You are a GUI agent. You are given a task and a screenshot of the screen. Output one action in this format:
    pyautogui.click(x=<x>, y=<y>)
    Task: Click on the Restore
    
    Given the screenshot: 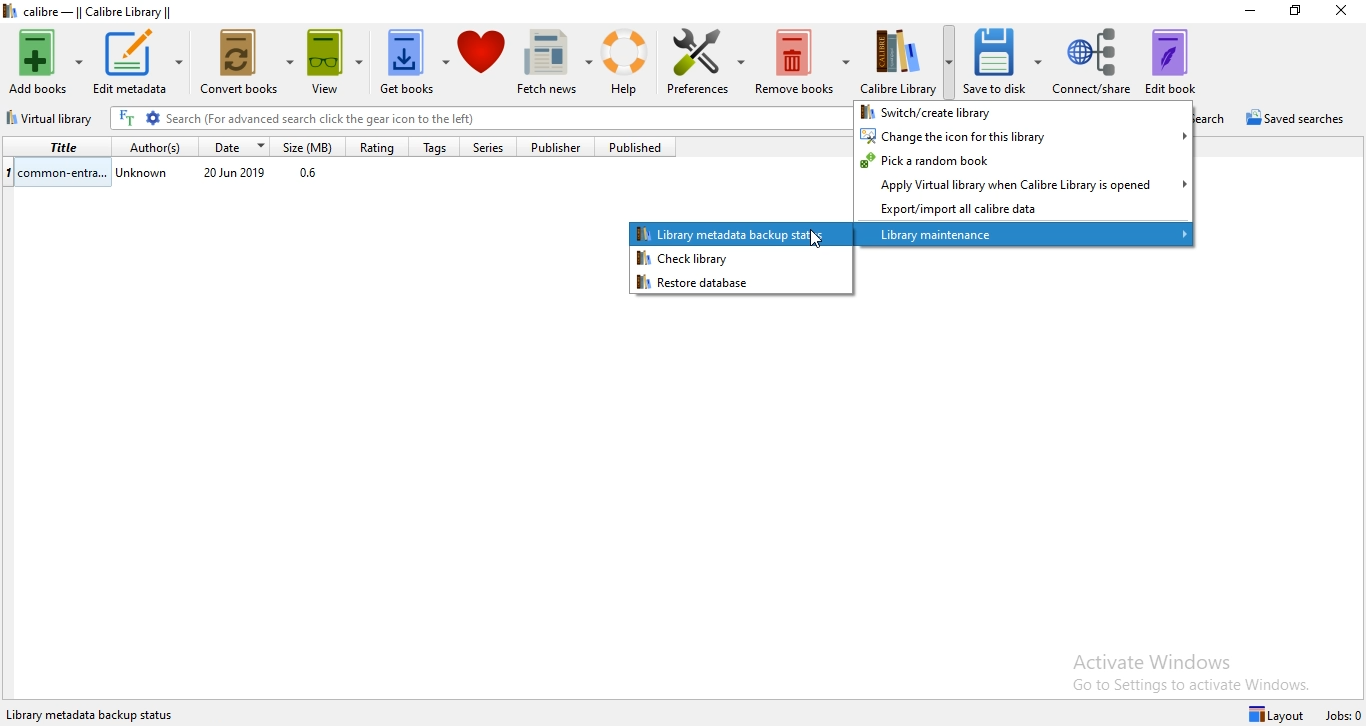 What is the action you would take?
    pyautogui.click(x=1295, y=11)
    